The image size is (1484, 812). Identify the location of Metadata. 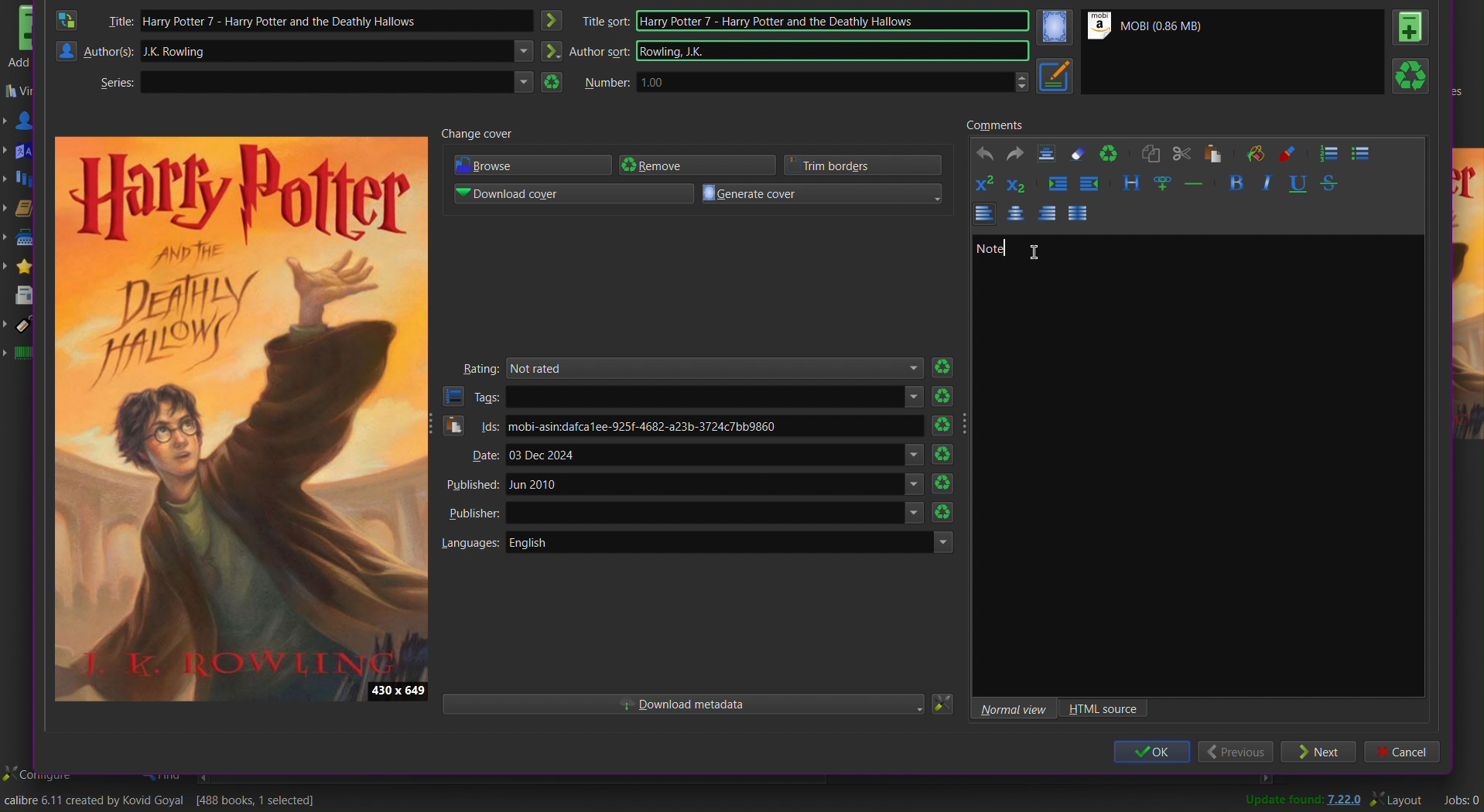
(1056, 76).